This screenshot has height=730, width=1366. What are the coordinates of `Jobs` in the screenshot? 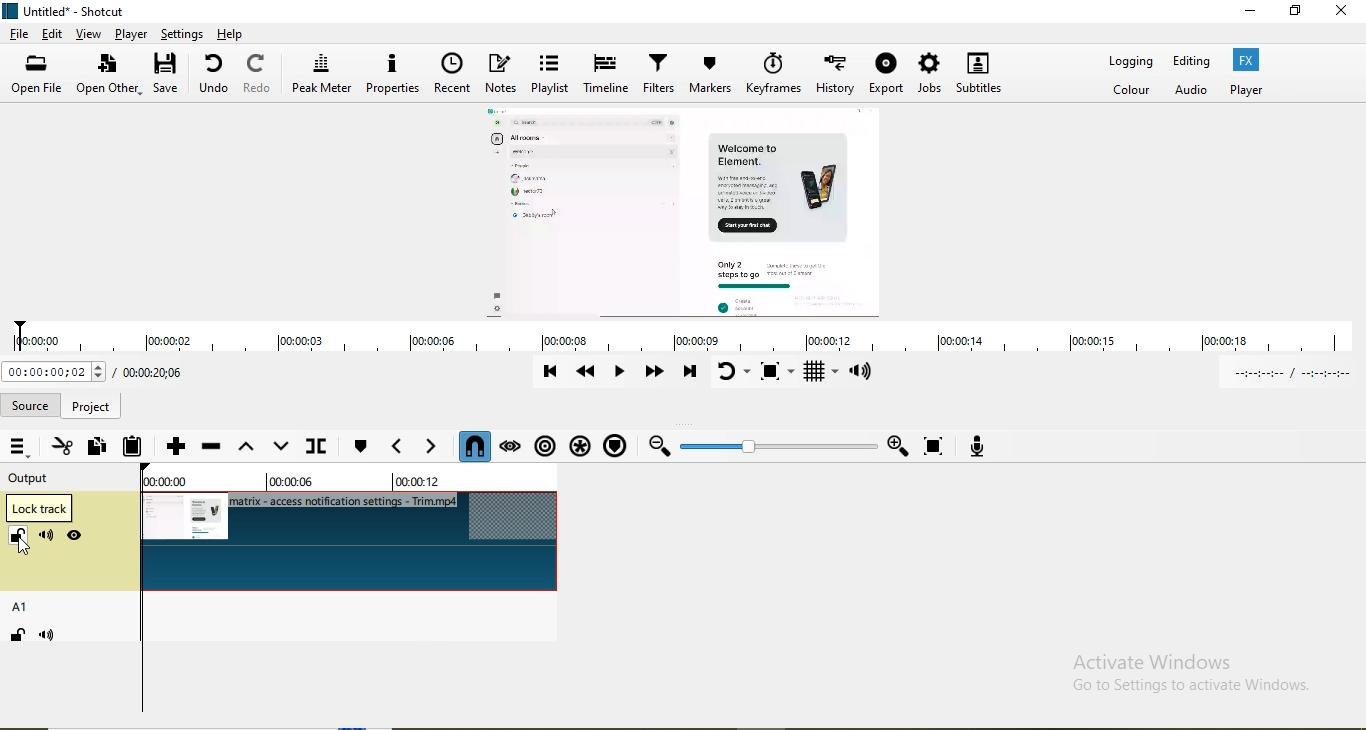 It's located at (932, 77).